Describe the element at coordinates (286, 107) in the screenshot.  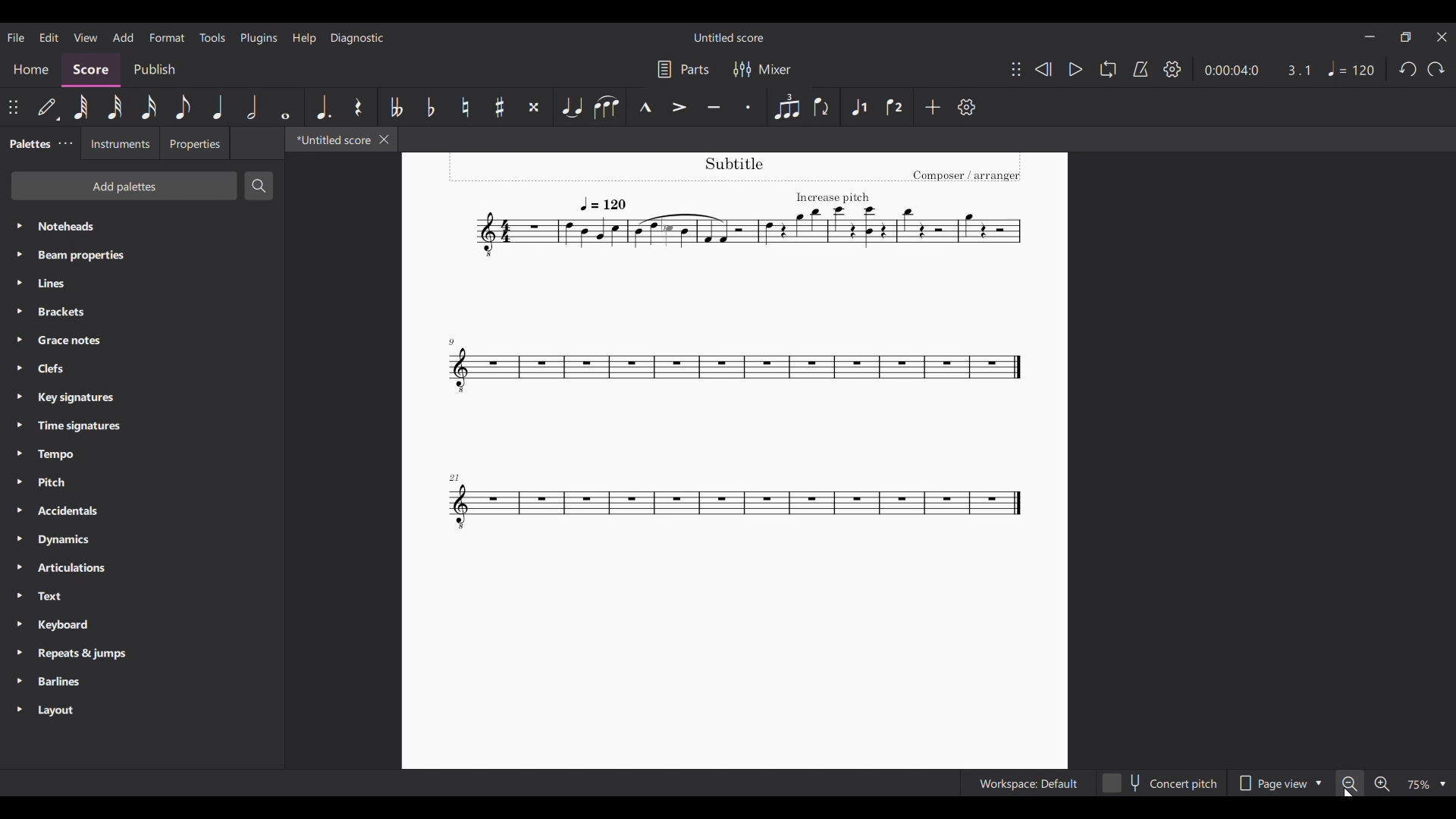
I see `Whole note` at that location.